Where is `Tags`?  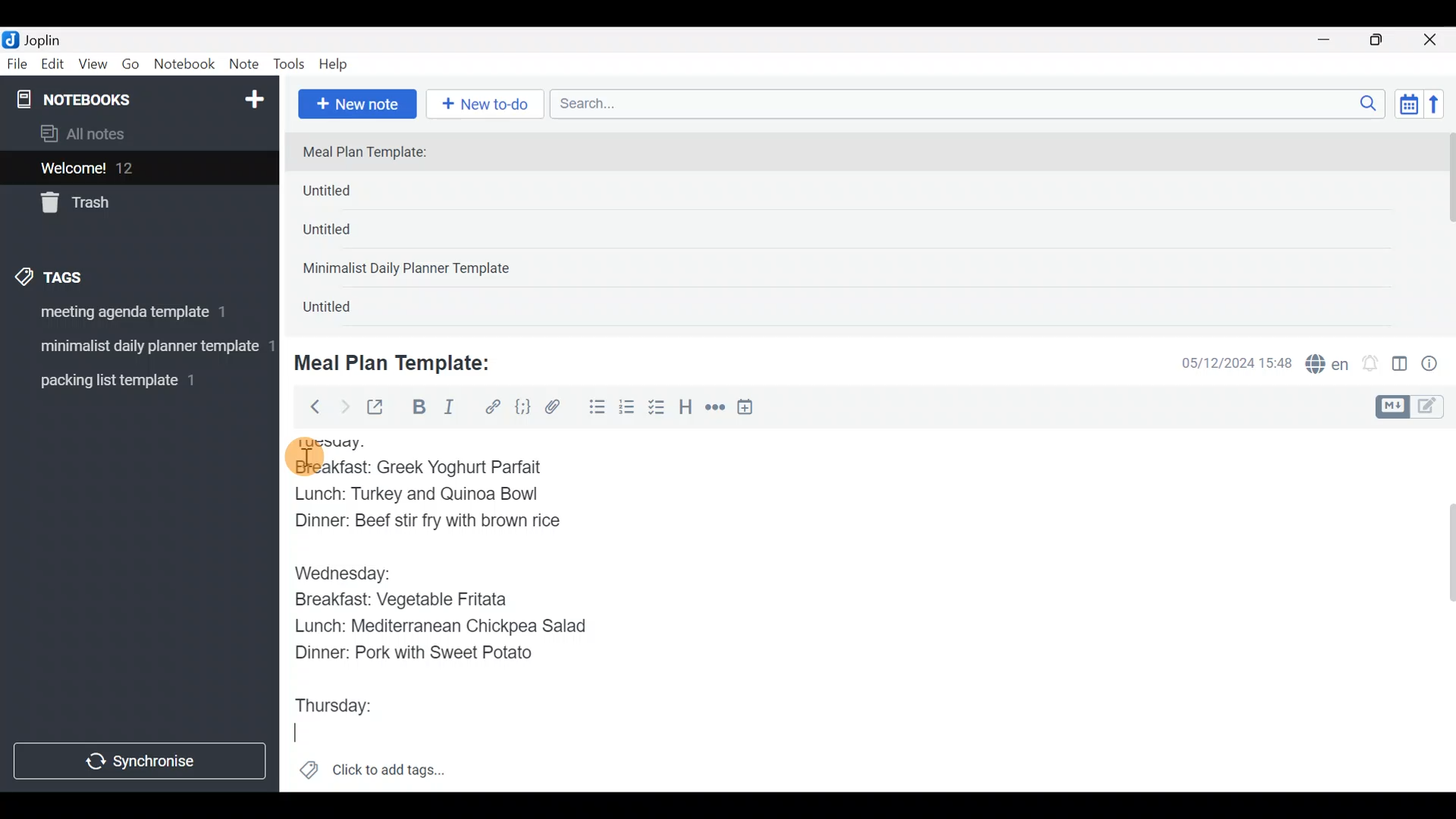 Tags is located at coordinates (85, 275).